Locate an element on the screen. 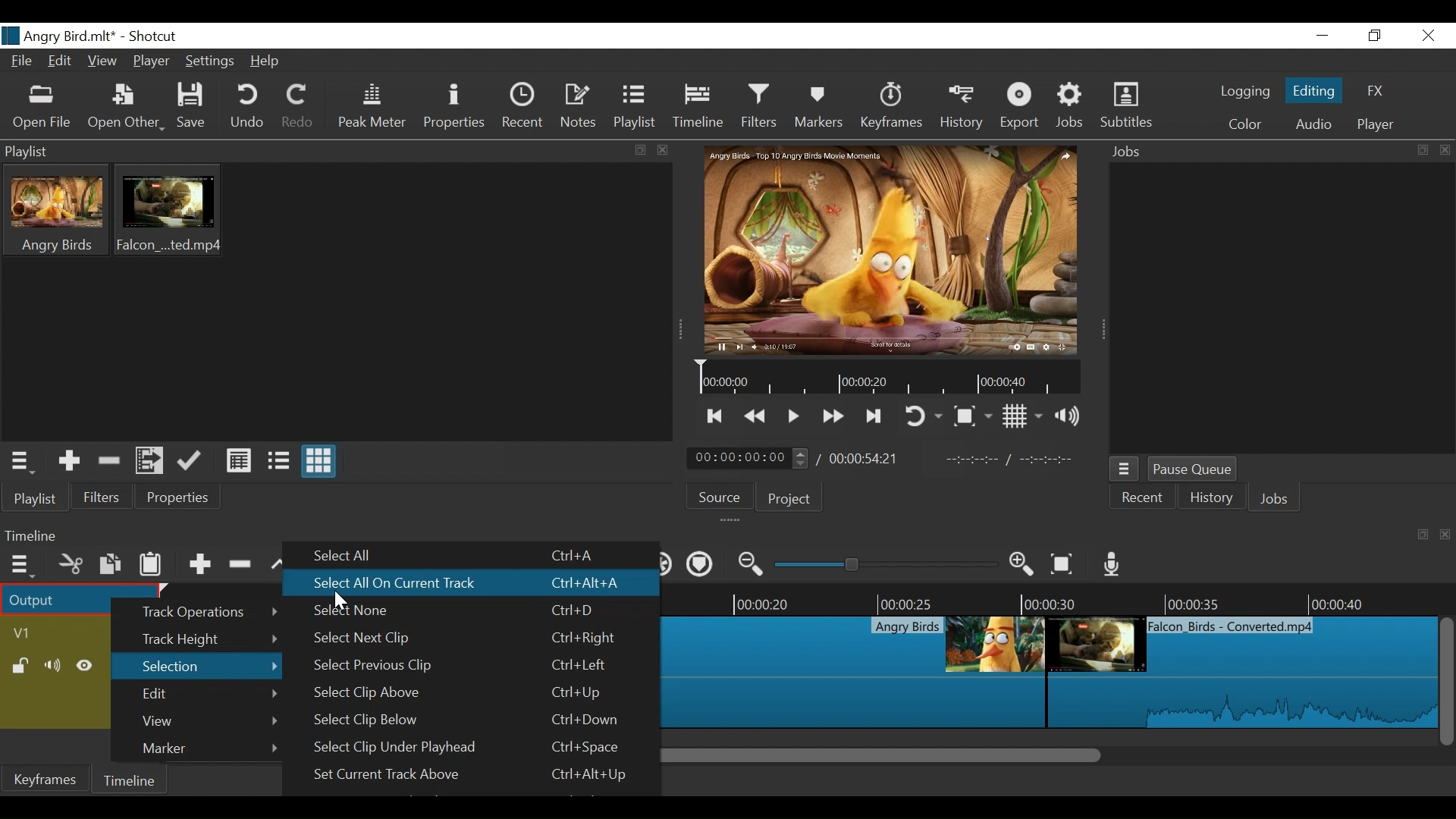 This screenshot has width=1456, height=819. Set Current Track Aboe is located at coordinates (481, 776).